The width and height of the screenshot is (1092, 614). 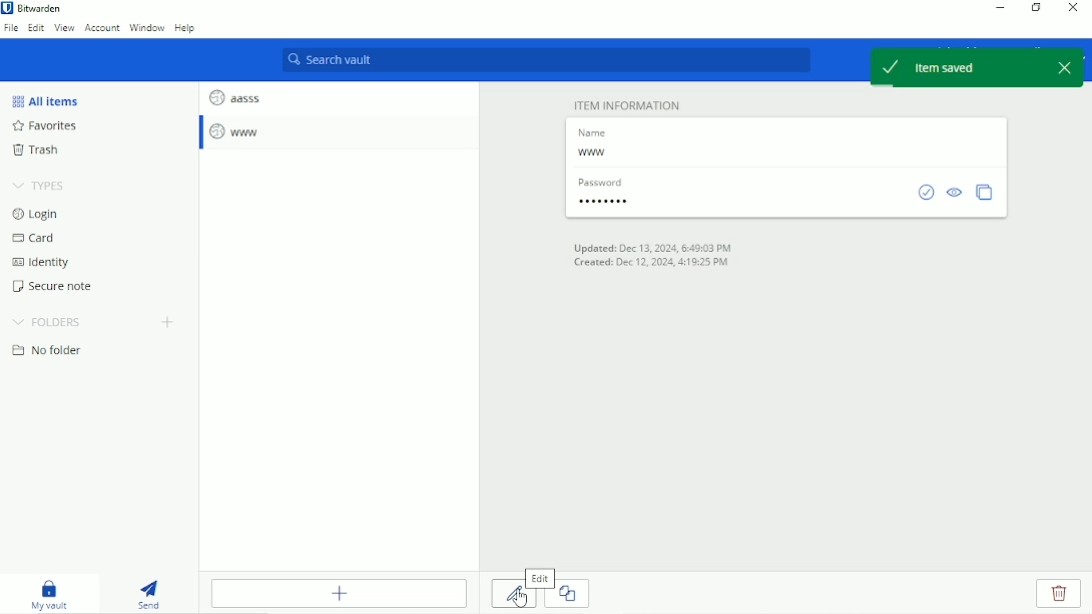 What do you see at coordinates (44, 100) in the screenshot?
I see `All items` at bounding box center [44, 100].